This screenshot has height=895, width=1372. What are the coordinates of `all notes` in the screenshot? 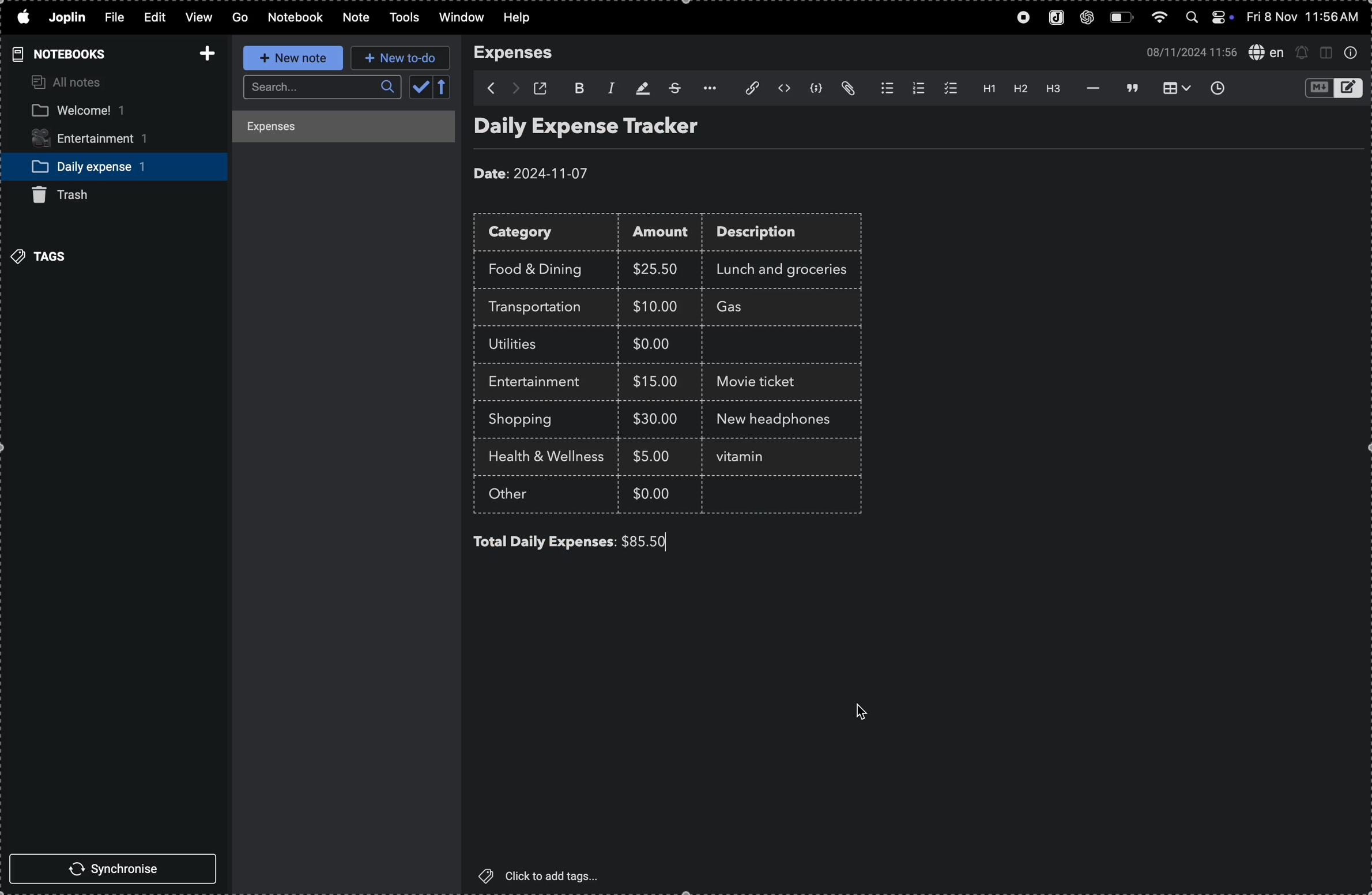 It's located at (69, 83).